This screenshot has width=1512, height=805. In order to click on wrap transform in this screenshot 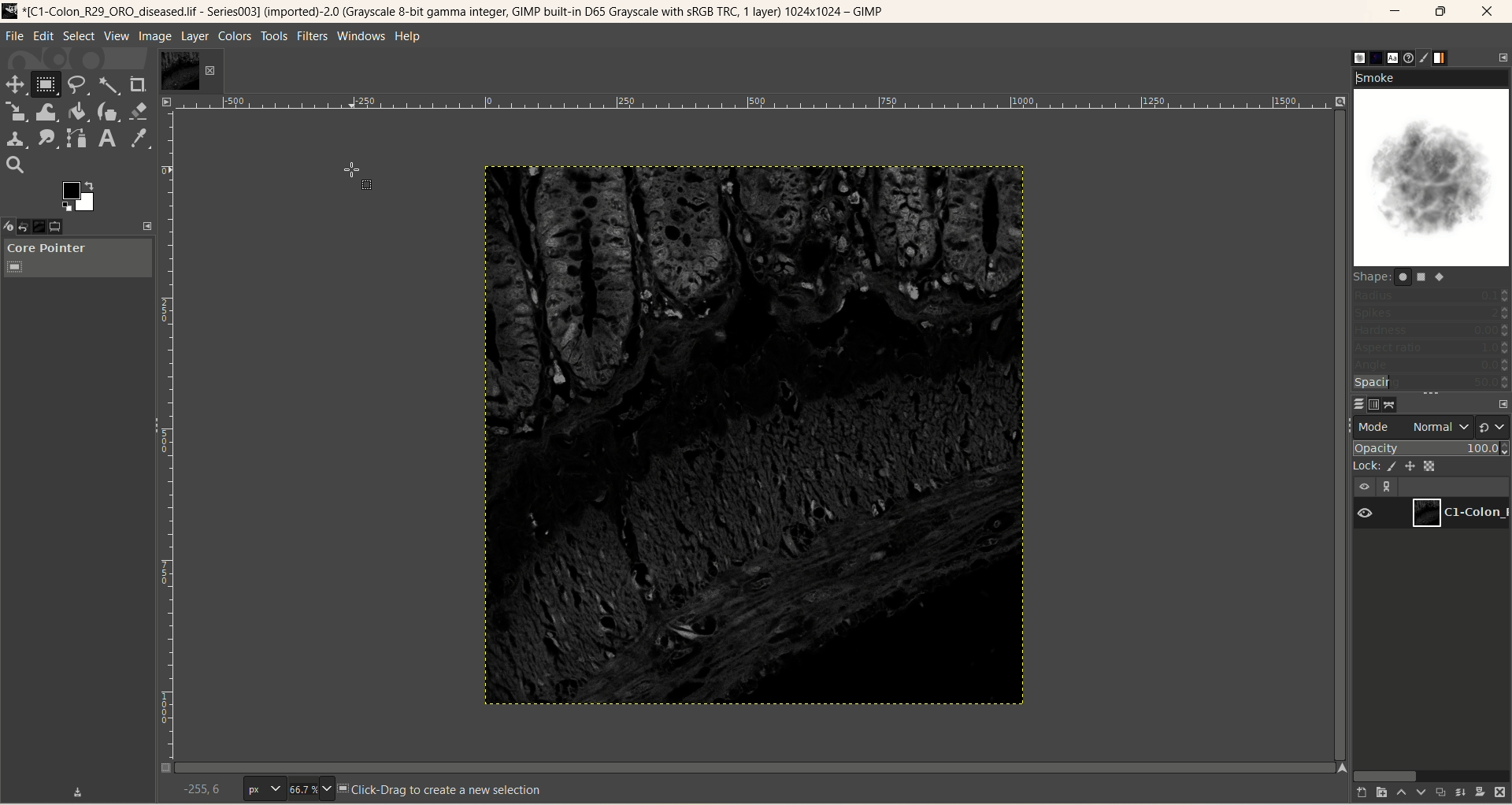, I will do `click(48, 113)`.